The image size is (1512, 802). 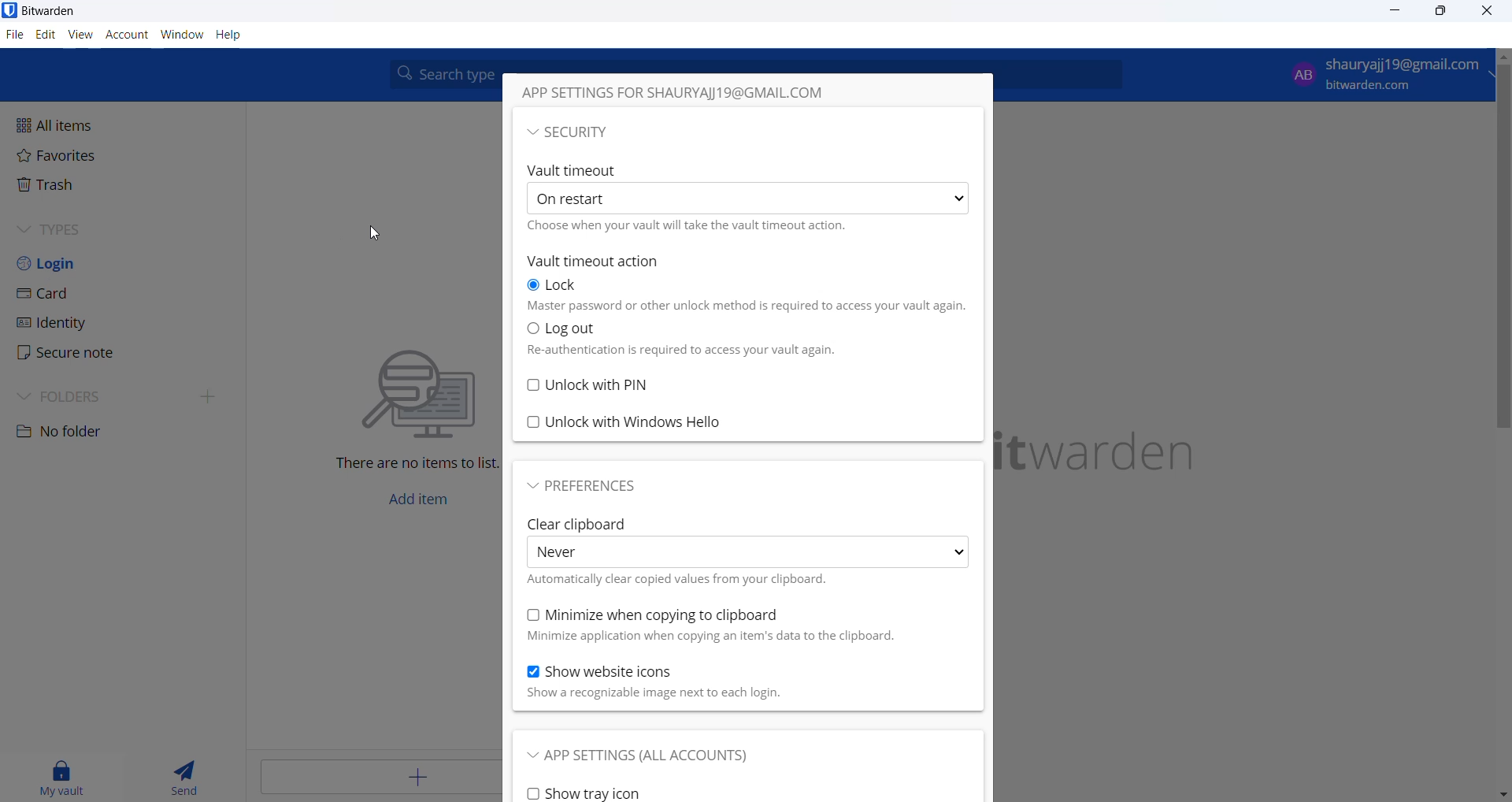 I want to click on CURSOR, so click(x=16, y=36).